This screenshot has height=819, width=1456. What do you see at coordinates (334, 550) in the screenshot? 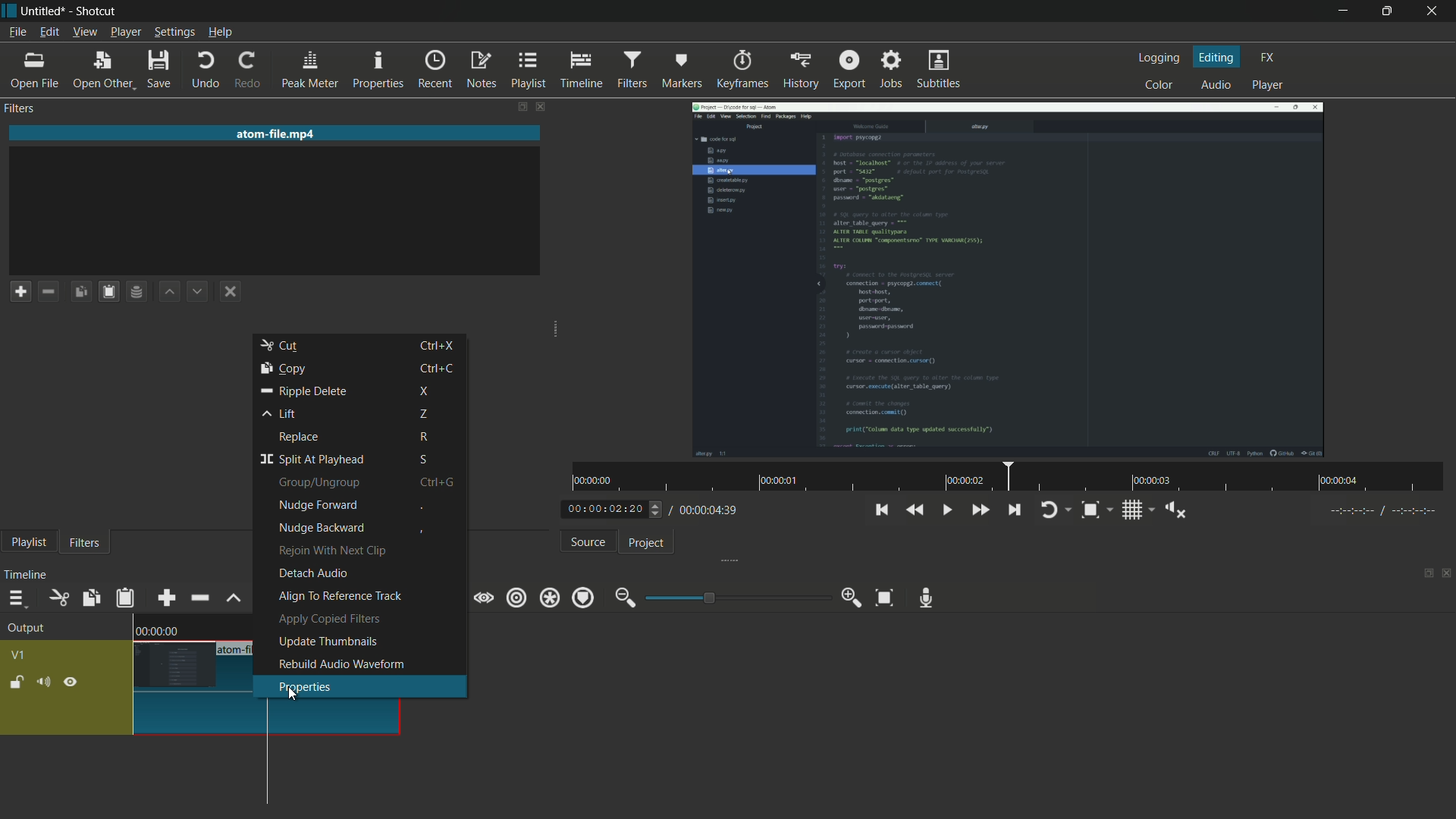
I see `rejoin with next clip` at bounding box center [334, 550].